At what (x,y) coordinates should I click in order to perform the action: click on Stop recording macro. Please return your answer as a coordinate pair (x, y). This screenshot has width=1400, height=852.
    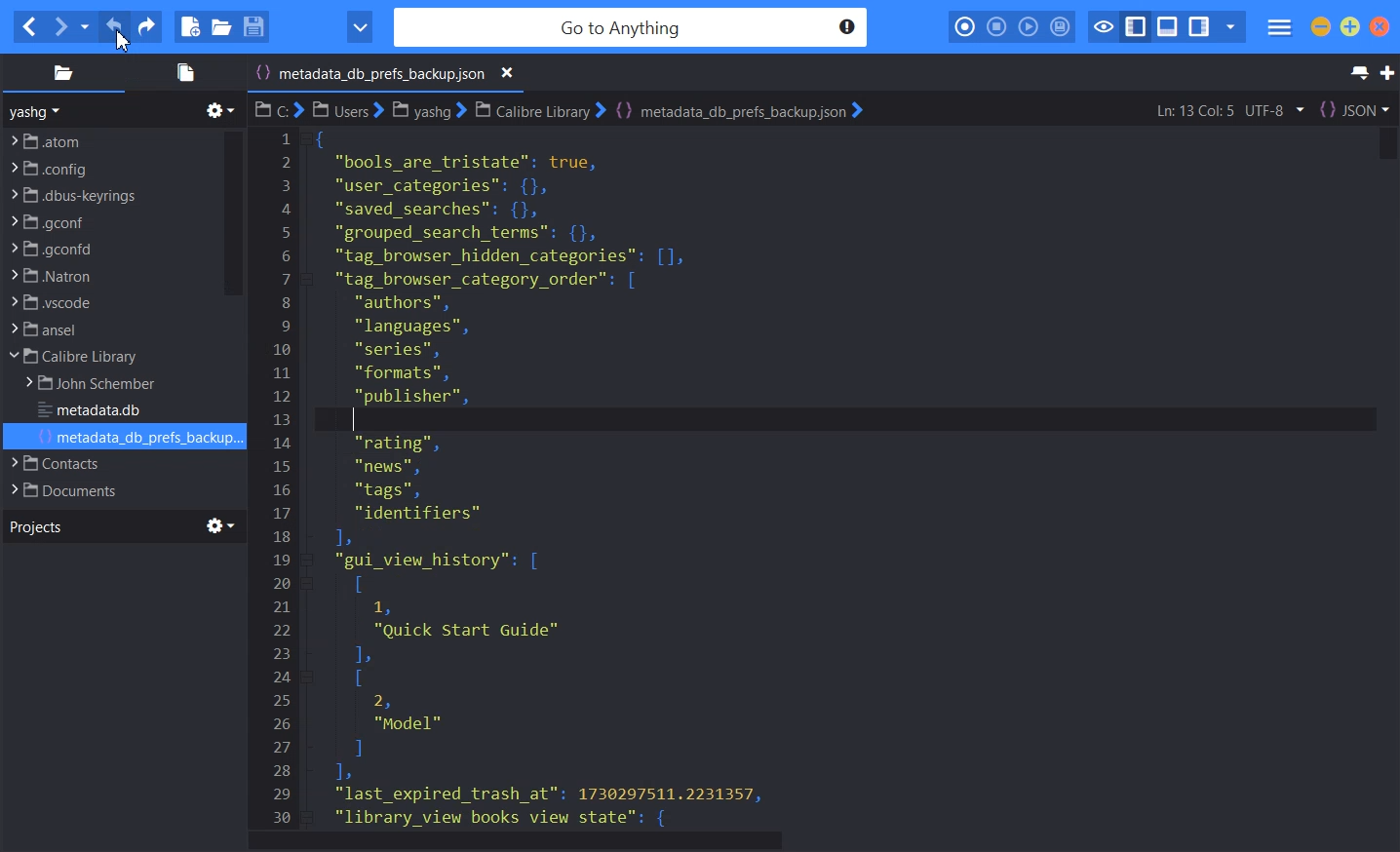
    Looking at the image, I should click on (996, 27).